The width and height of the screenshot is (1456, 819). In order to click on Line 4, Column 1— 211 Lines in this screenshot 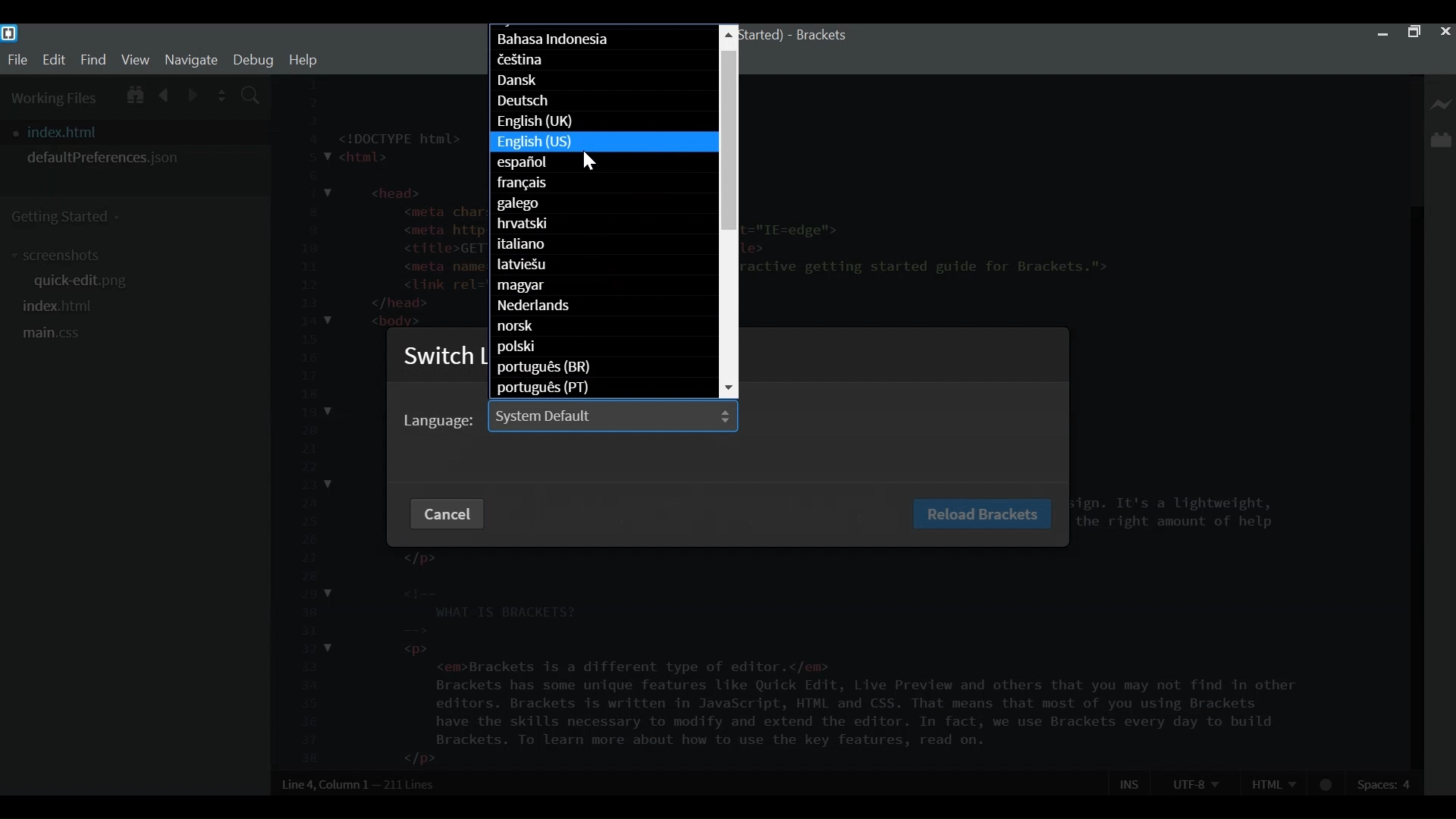, I will do `click(359, 784)`.